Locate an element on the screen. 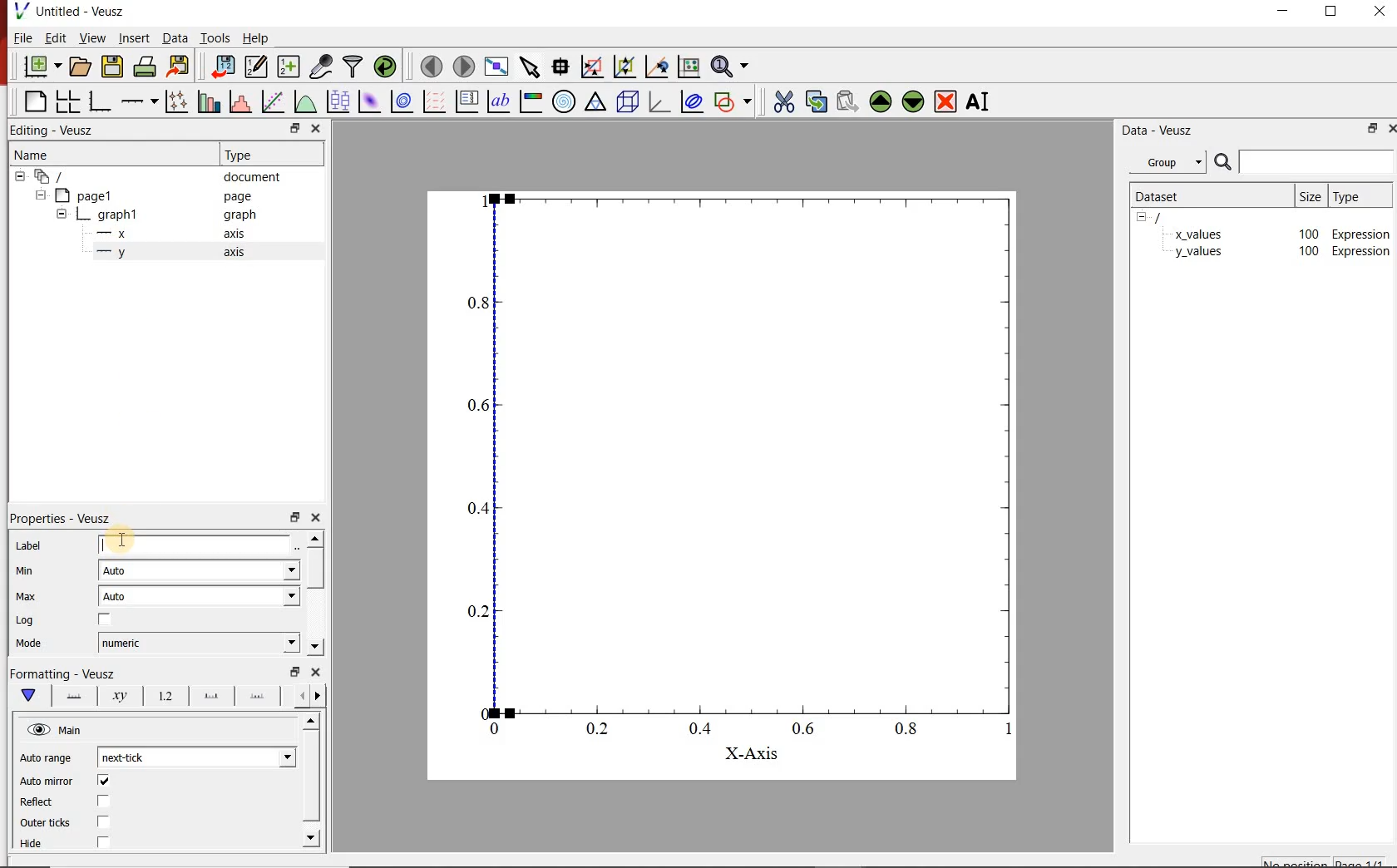 The width and height of the screenshot is (1397, 868). axis label is located at coordinates (121, 697).